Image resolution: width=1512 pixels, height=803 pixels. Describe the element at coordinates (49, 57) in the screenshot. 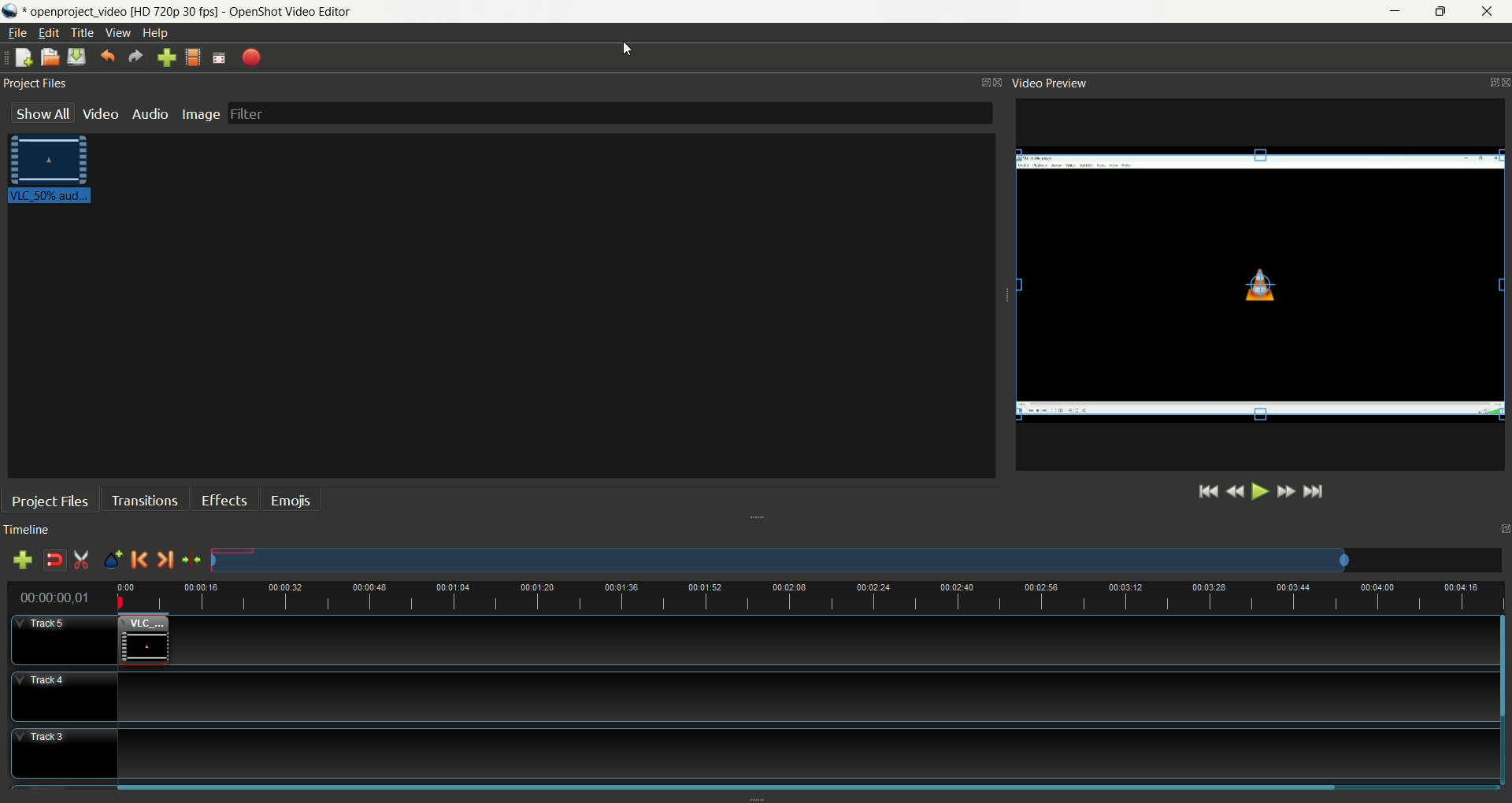

I see `open project` at that location.